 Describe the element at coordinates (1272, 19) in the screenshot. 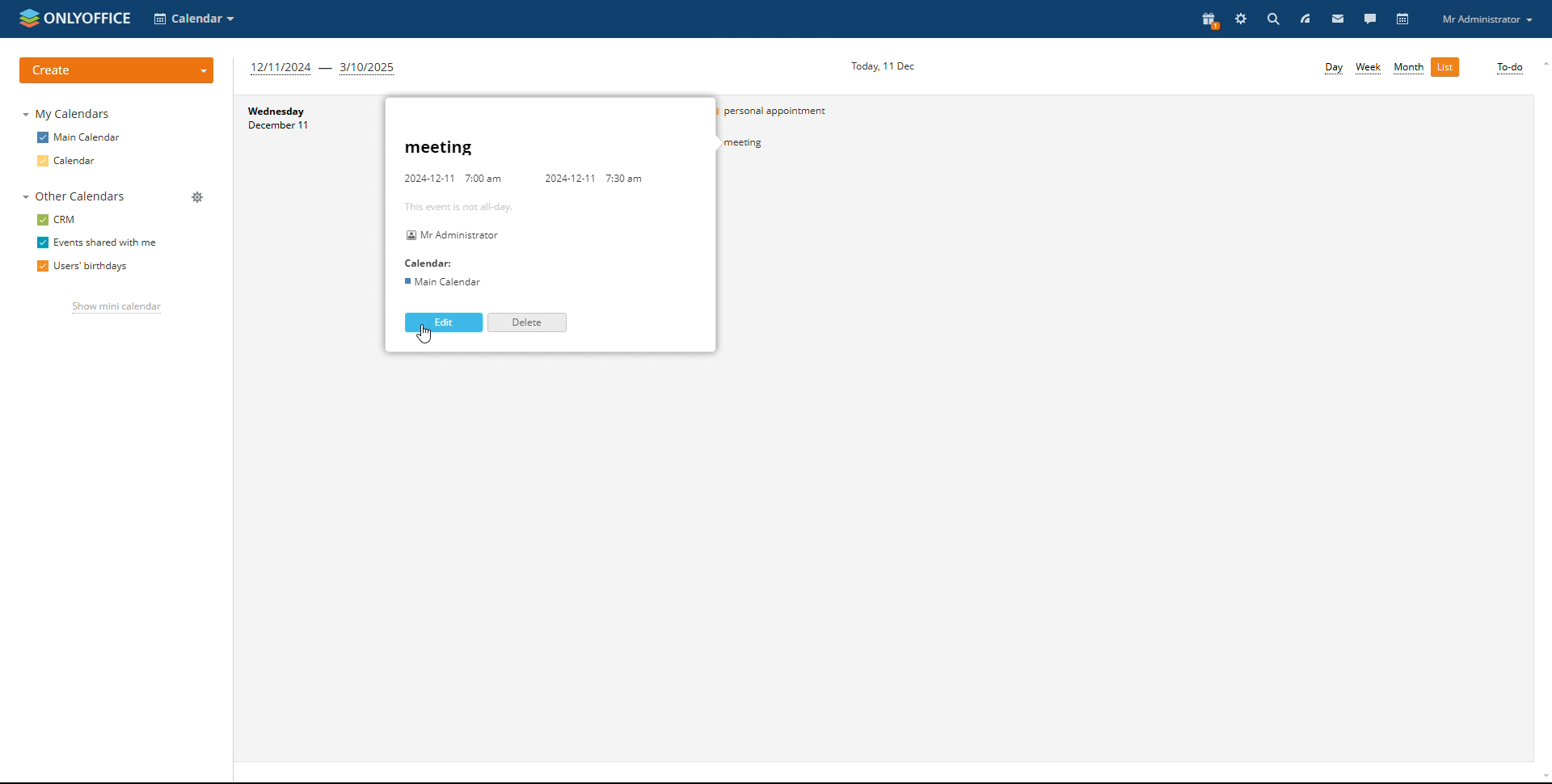

I see `search` at that location.